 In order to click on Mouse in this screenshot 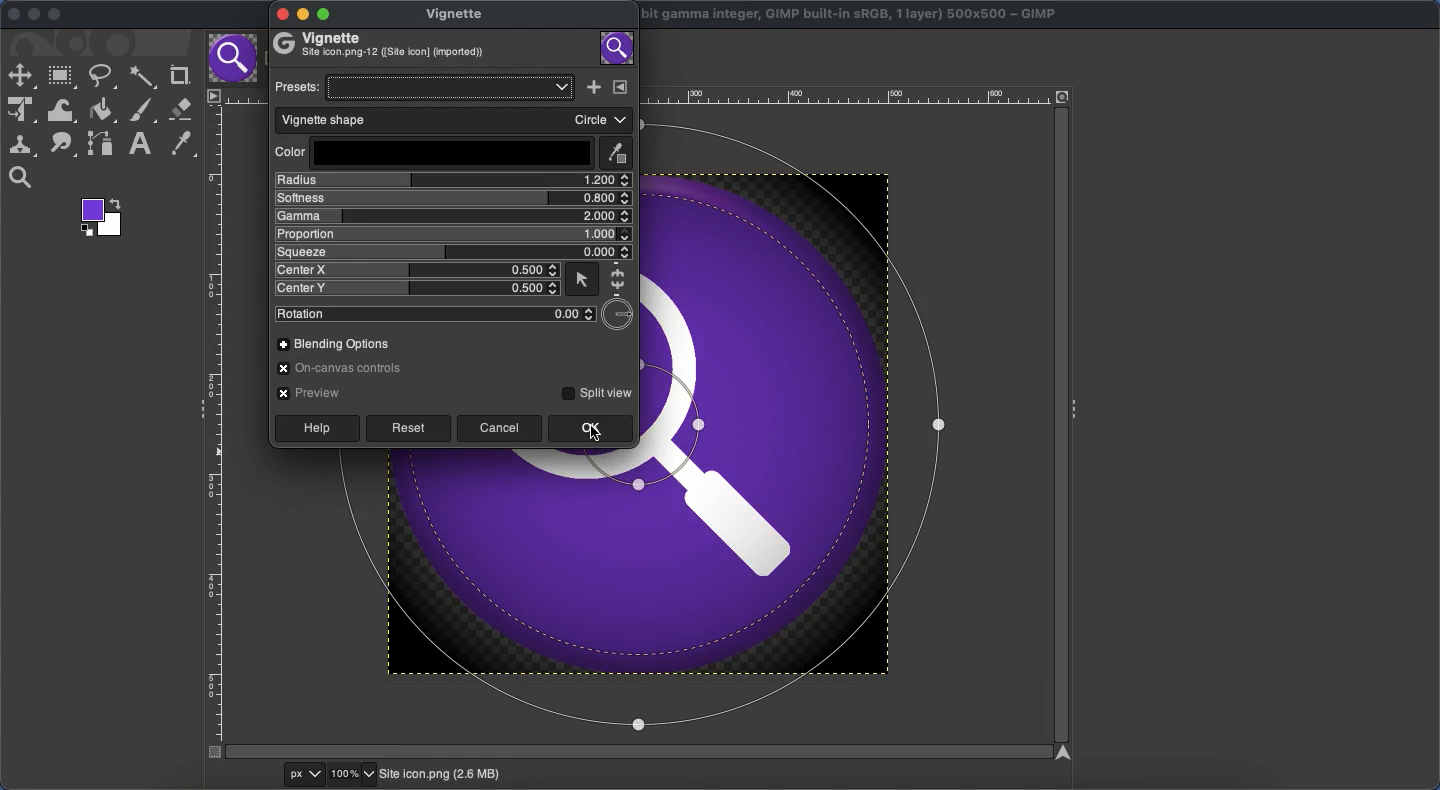, I will do `click(581, 279)`.